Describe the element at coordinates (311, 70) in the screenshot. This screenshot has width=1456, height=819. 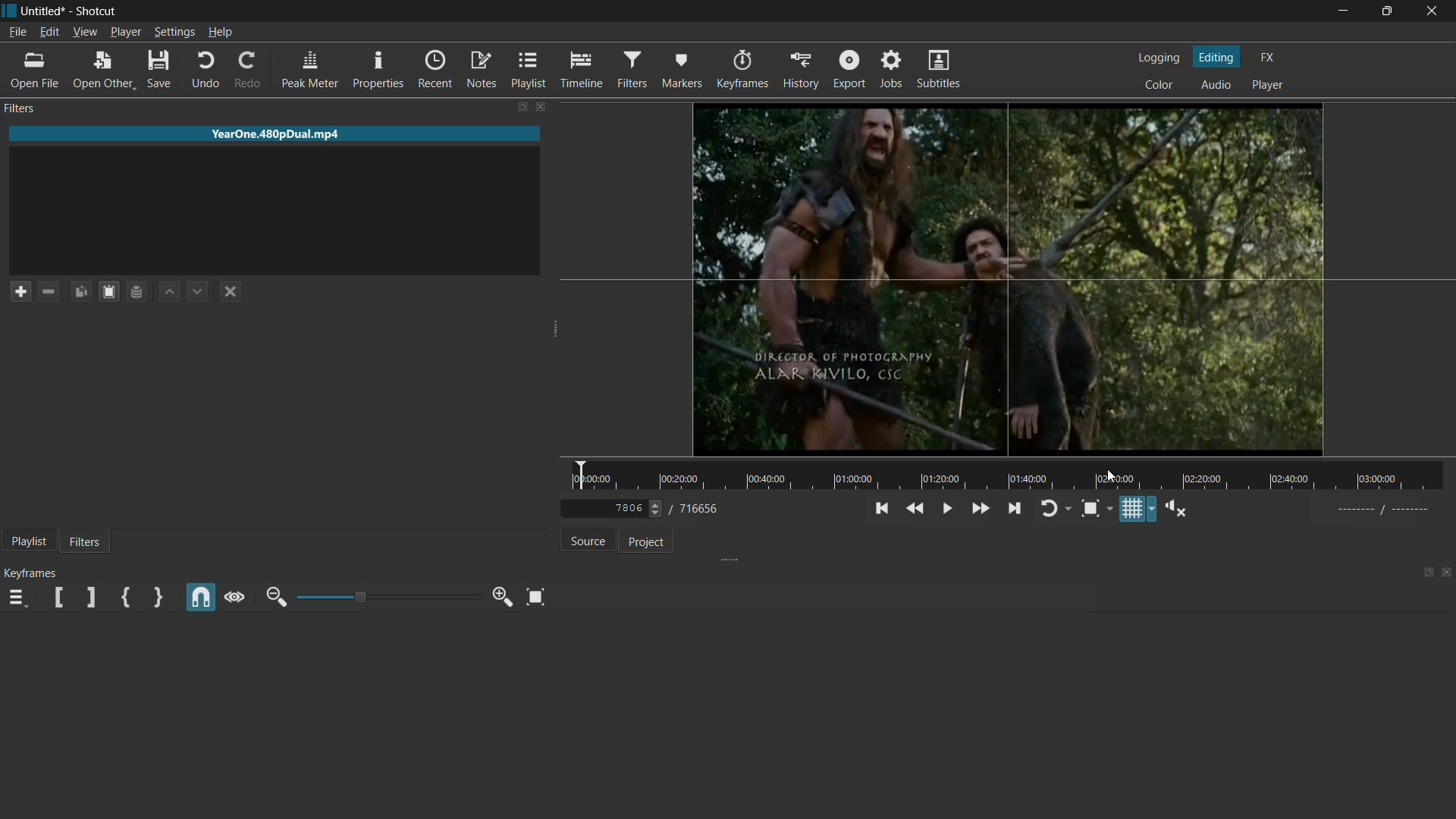
I see `peak meter` at that location.